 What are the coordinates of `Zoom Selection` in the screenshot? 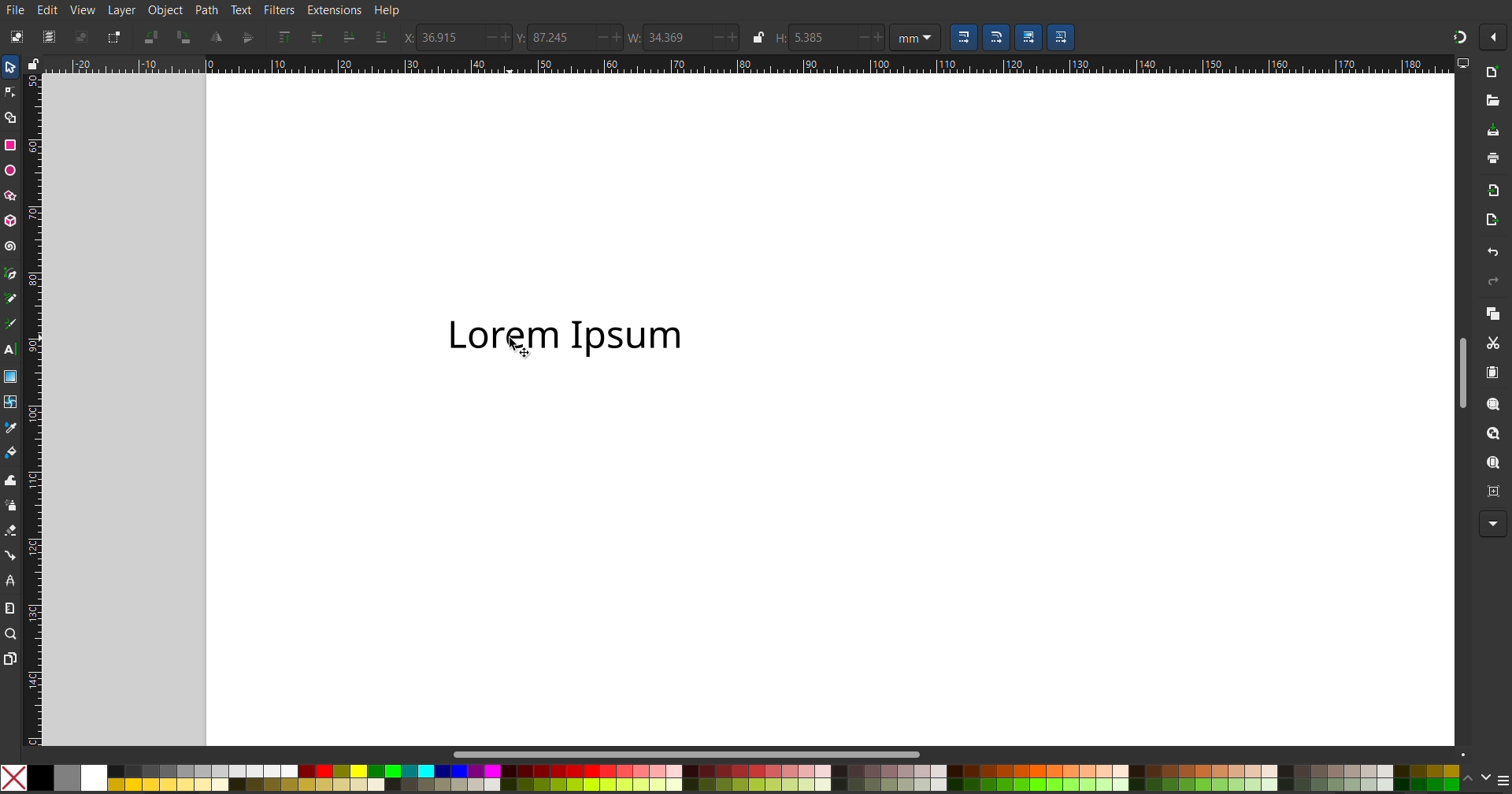 It's located at (1495, 405).